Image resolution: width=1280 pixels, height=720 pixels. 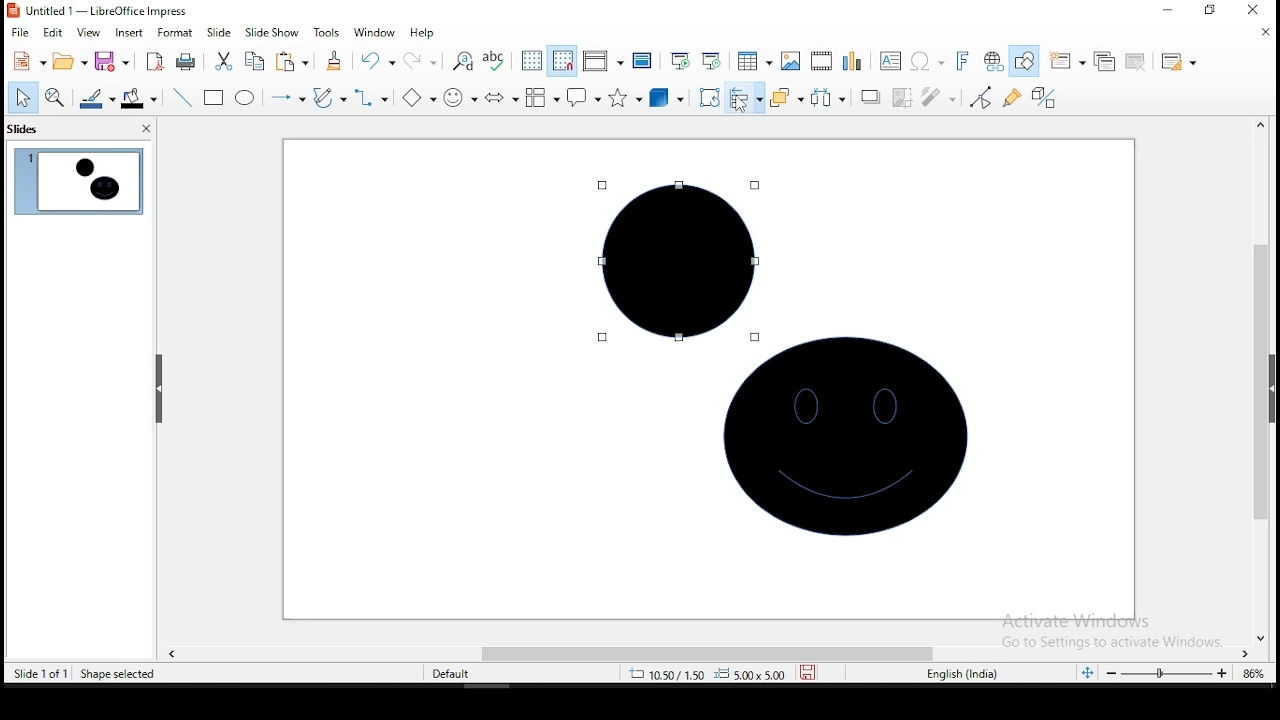 What do you see at coordinates (223, 61) in the screenshot?
I see `cut` at bounding box center [223, 61].